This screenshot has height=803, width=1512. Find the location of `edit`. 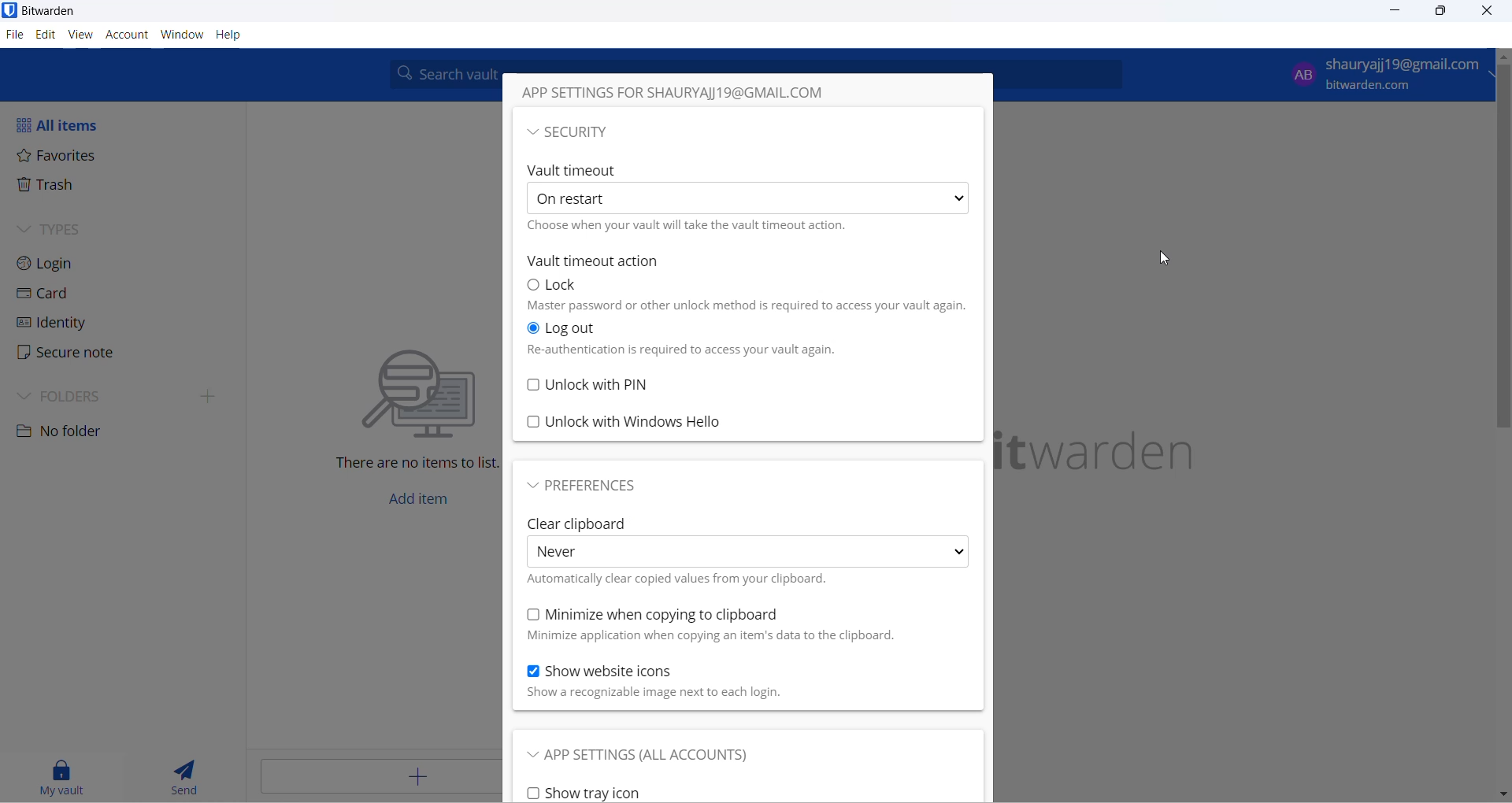

edit is located at coordinates (46, 35).